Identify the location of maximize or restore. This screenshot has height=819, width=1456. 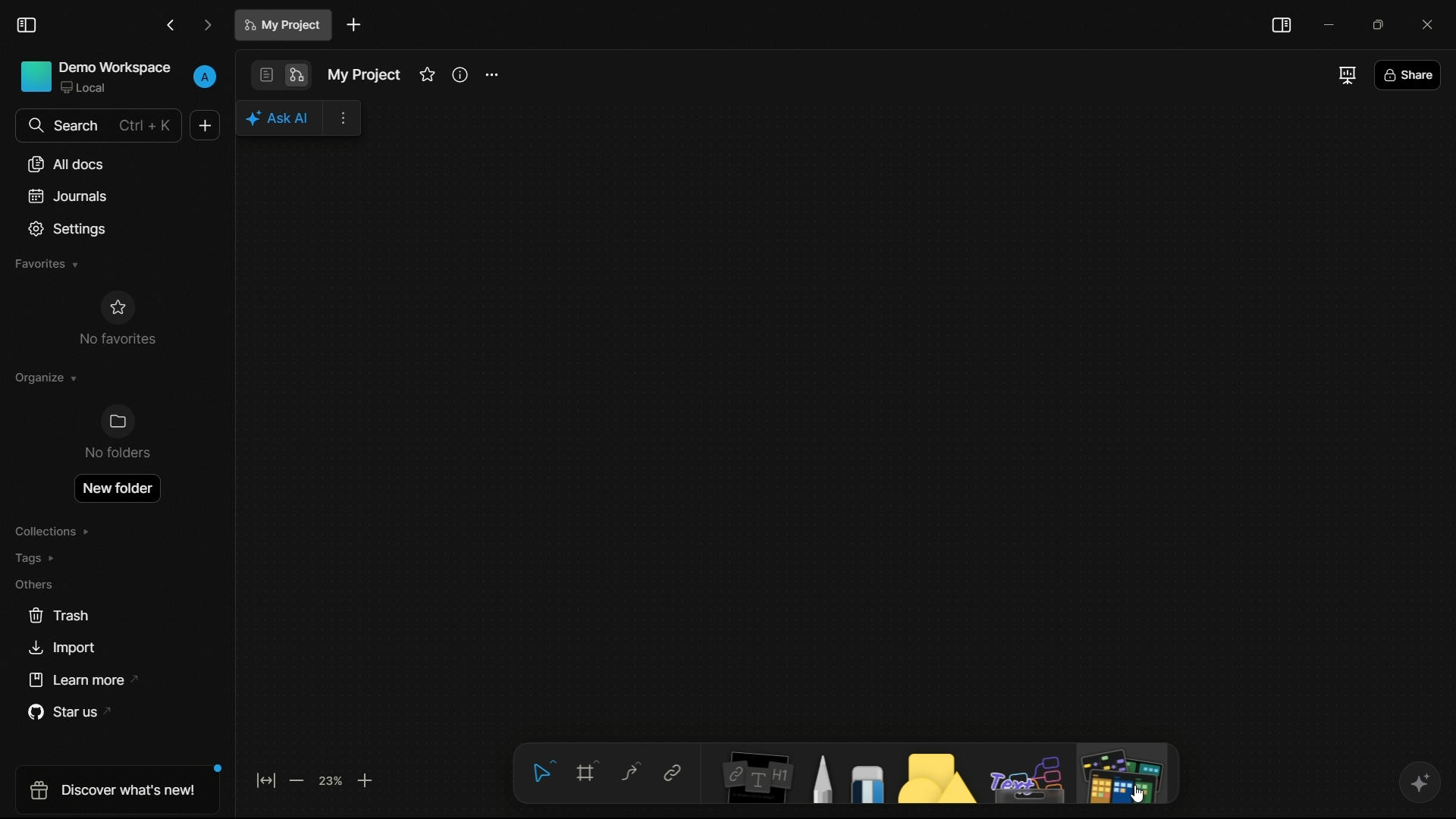
(1384, 24).